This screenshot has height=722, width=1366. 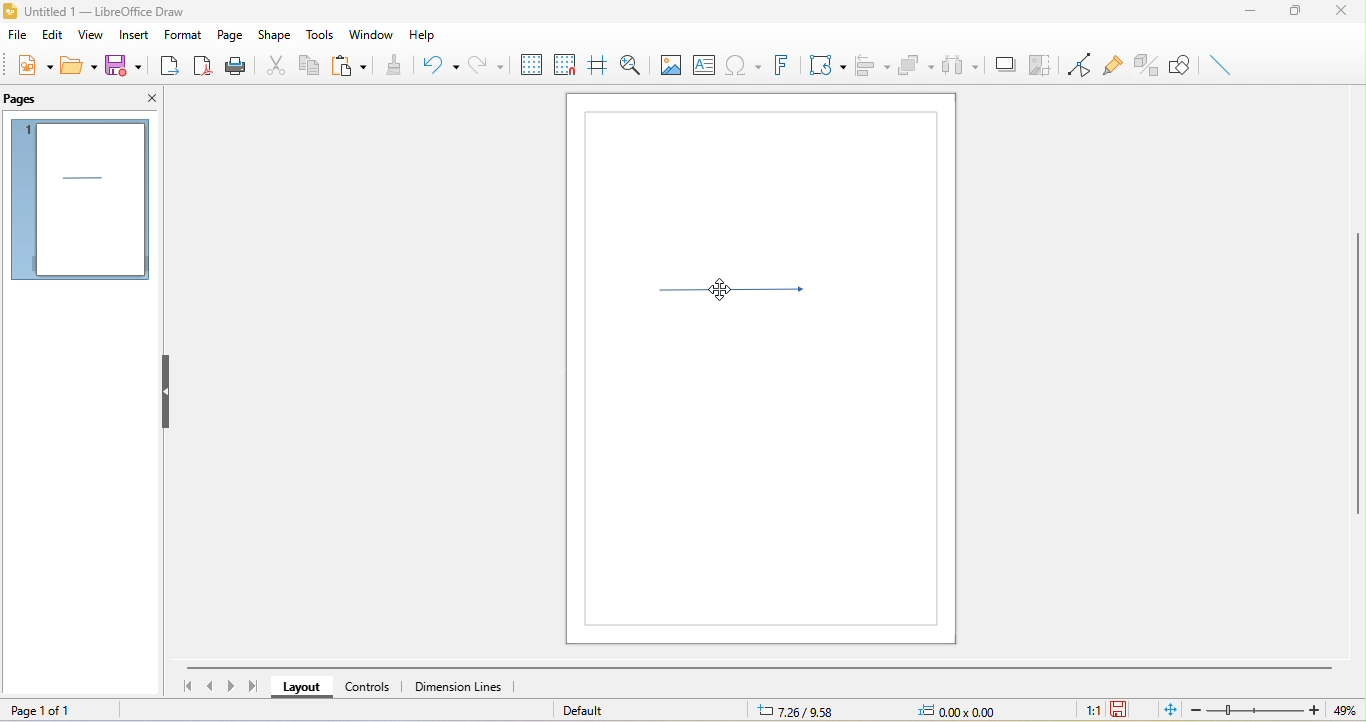 What do you see at coordinates (79, 200) in the screenshot?
I see `pages` at bounding box center [79, 200].